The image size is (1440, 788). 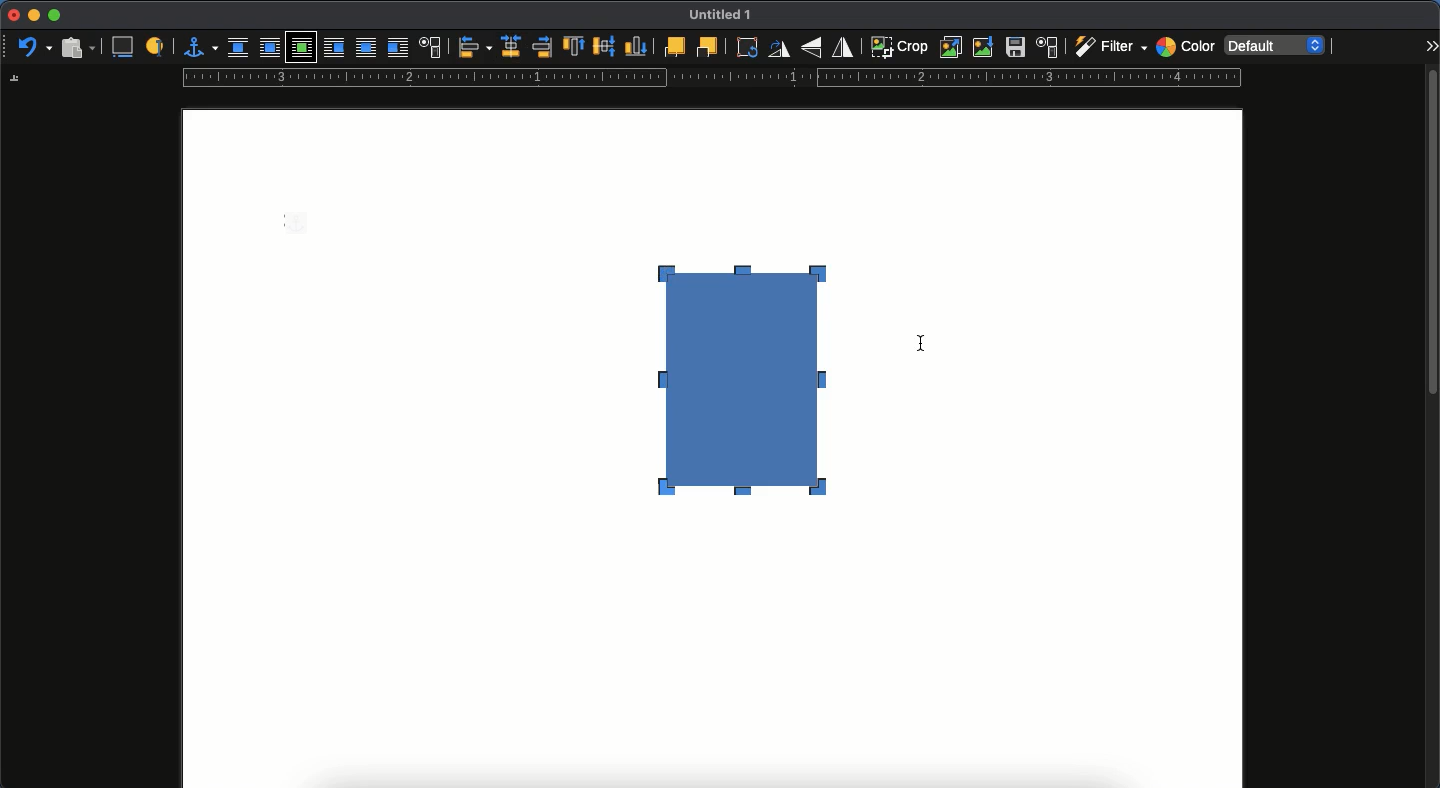 What do you see at coordinates (573, 48) in the screenshot?
I see `top to anchor` at bounding box center [573, 48].